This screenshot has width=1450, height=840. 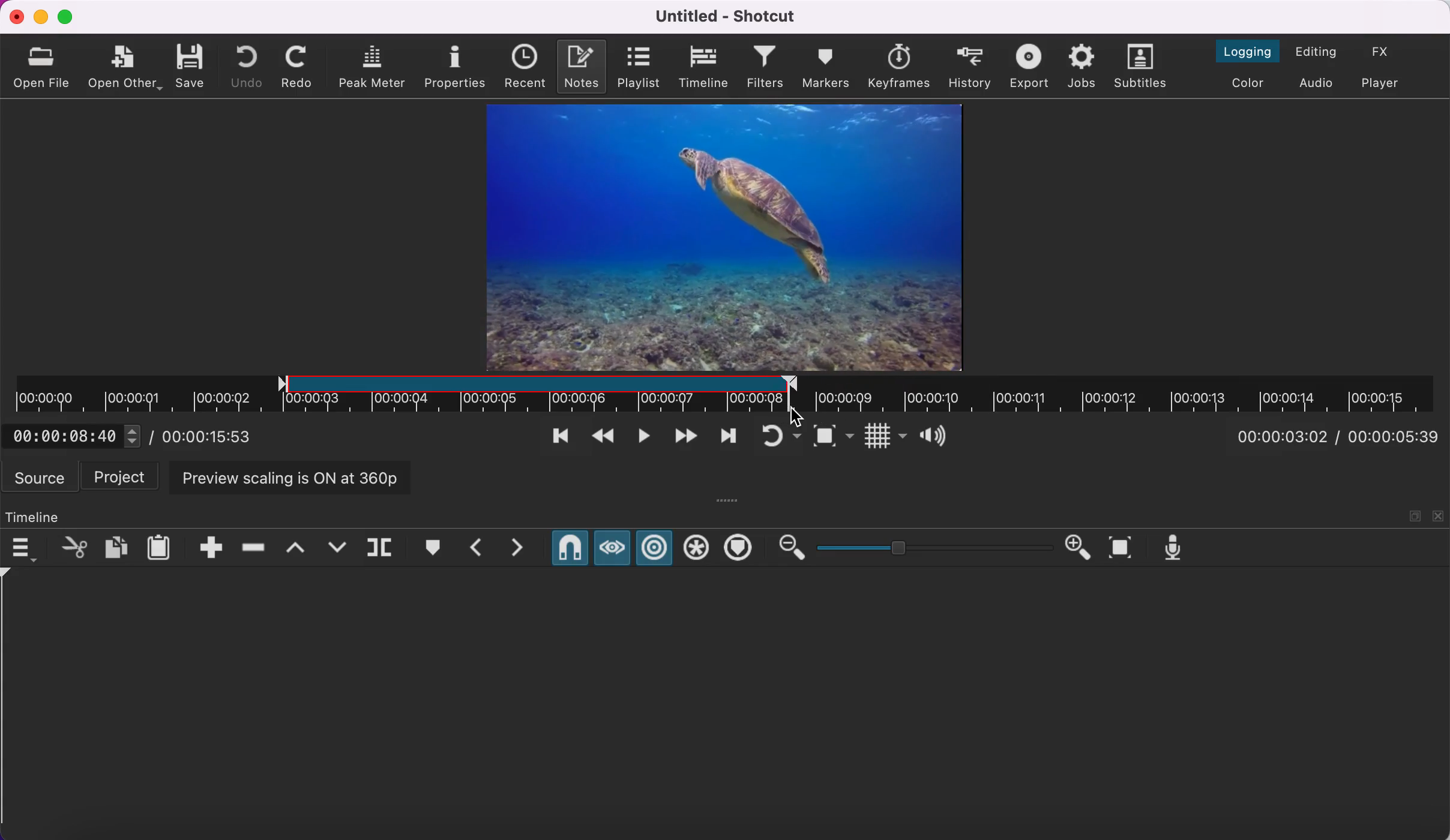 What do you see at coordinates (1027, 67) in the screenshot?
I see `export` at bounding box center [1027, 67].